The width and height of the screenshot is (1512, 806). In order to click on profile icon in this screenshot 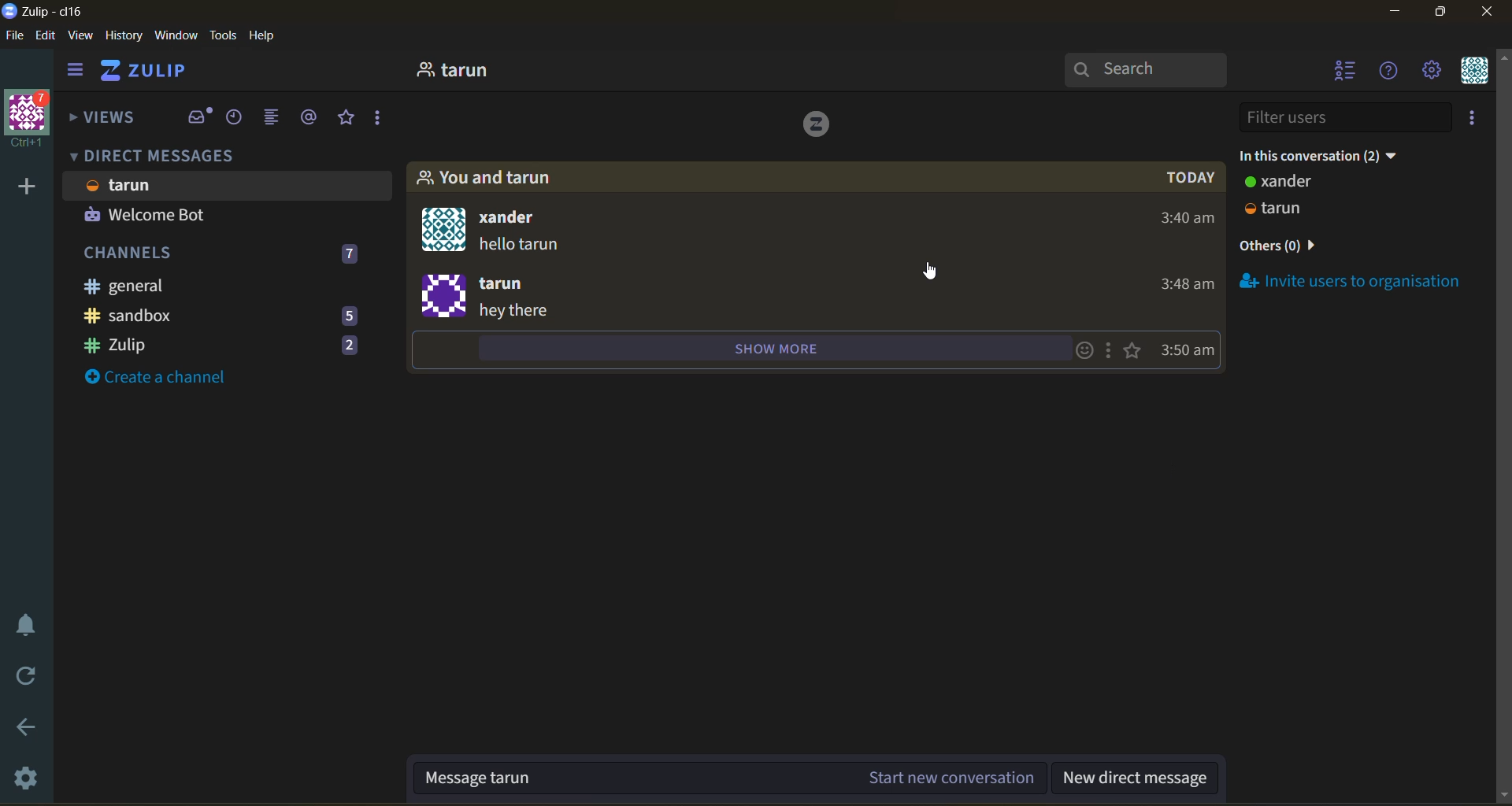, I will do `click(445, 228)`.